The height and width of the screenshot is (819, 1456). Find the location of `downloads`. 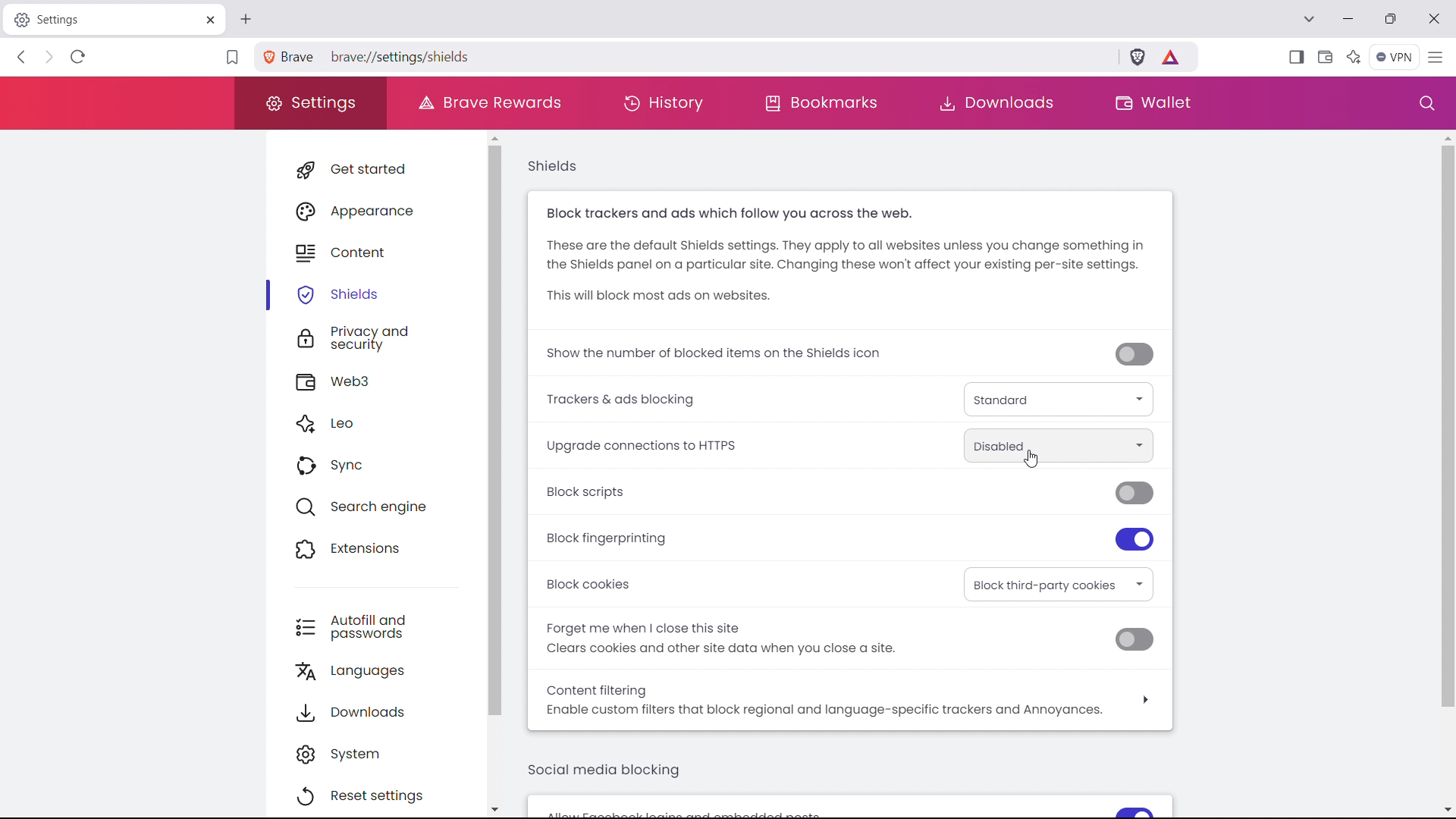

downloads is located at coordinates (1001, 104).